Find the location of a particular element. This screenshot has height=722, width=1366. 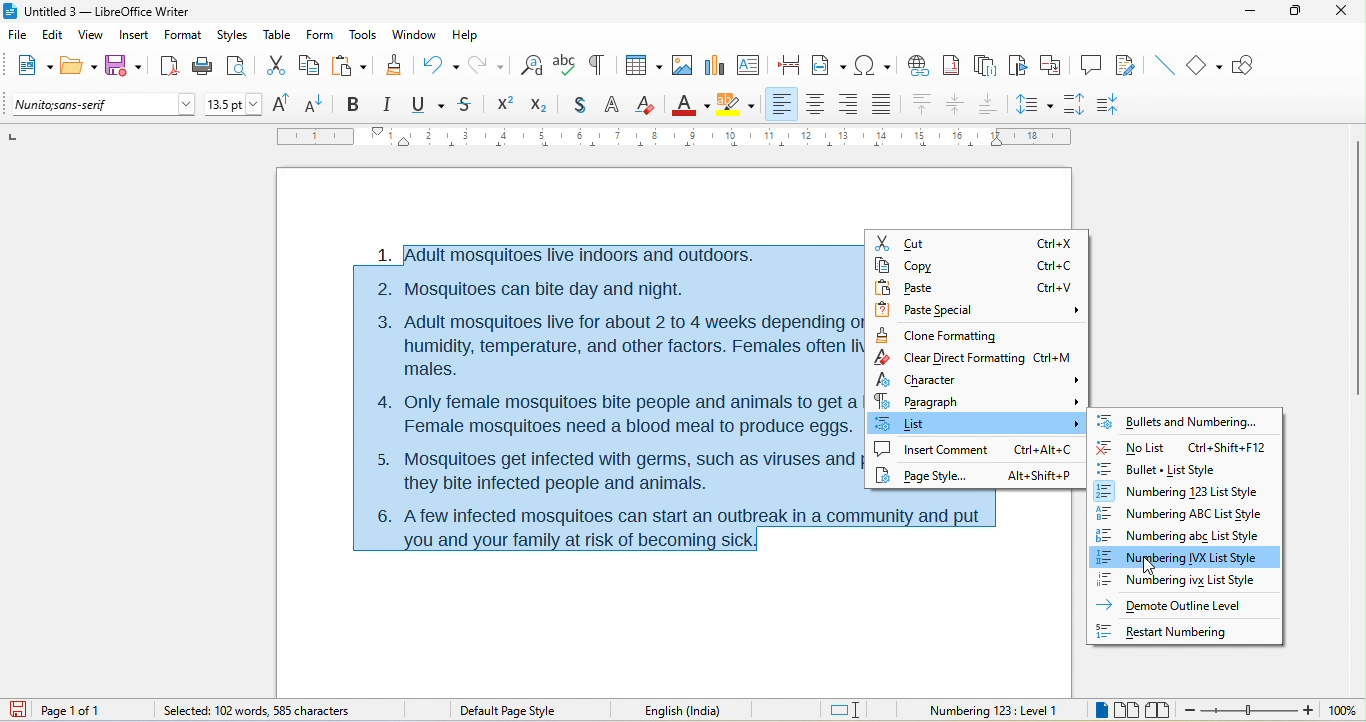

text box is located at coordinates (748, 64).